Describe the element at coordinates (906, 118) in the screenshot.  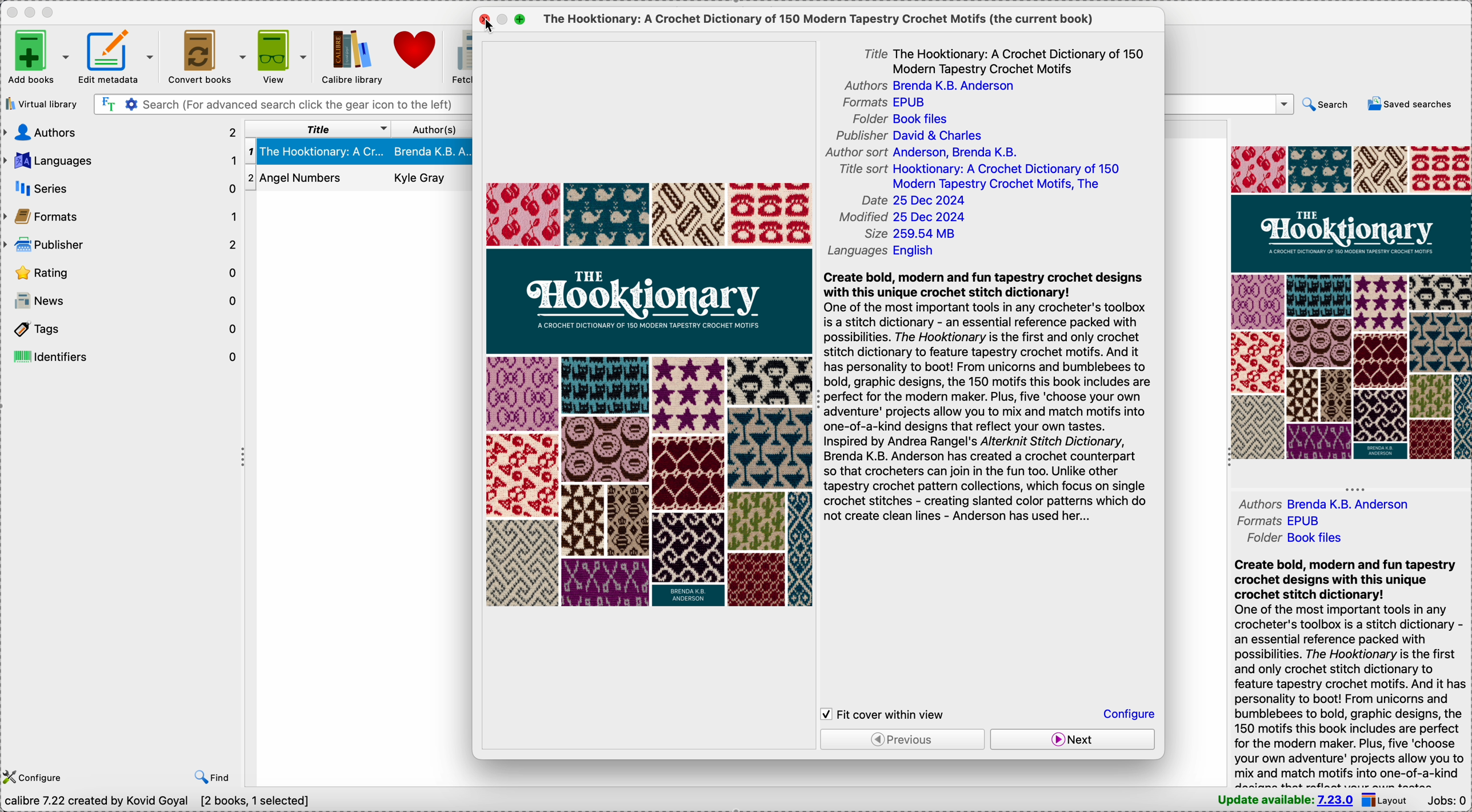
I see `folder` at that location.